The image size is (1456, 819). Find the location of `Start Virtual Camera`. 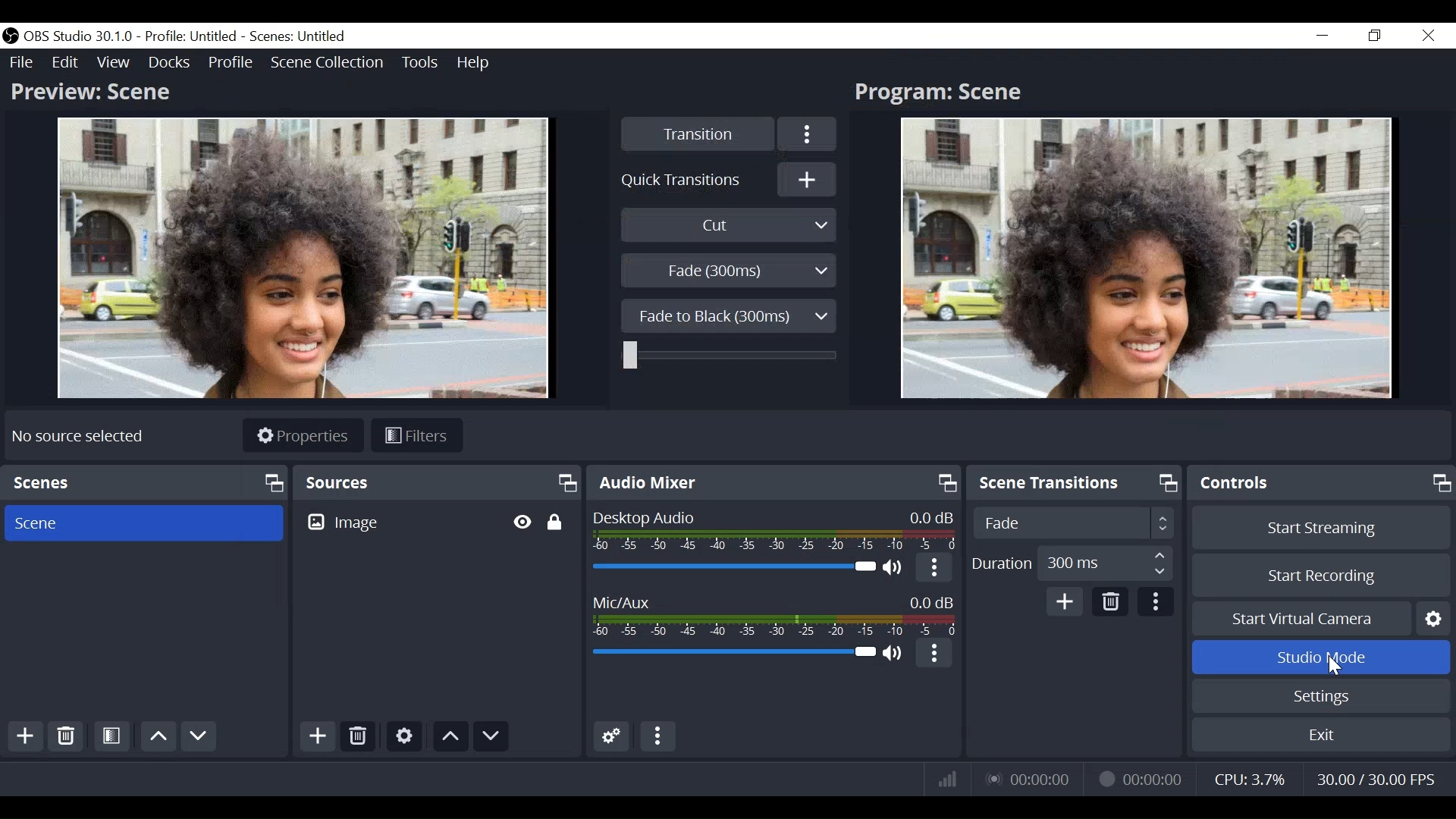

Start Virtual Camera is located at coordinates (1295, 618).